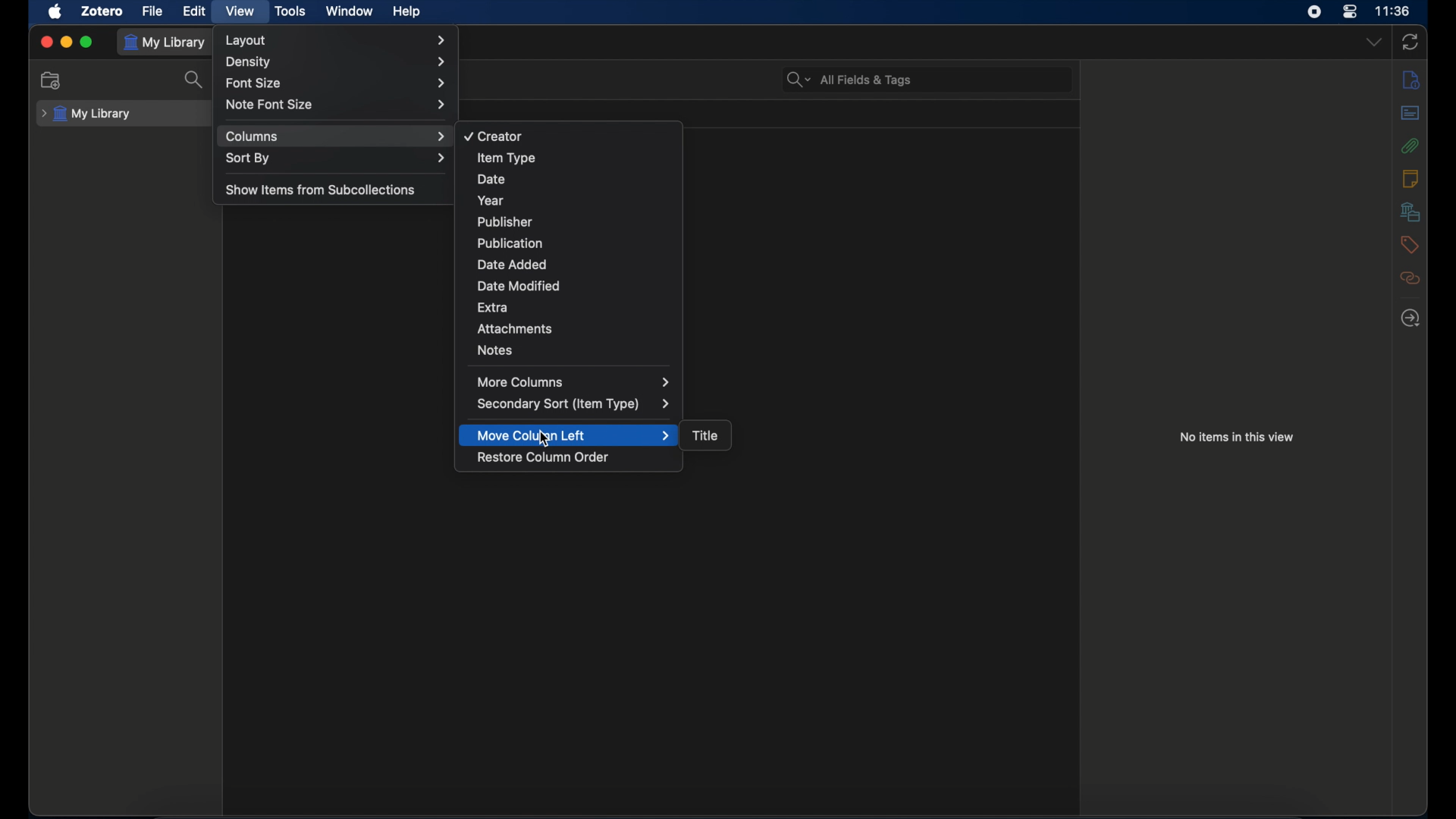 The image size is (1456, 819). I want to click on related, so click(1410, 278).